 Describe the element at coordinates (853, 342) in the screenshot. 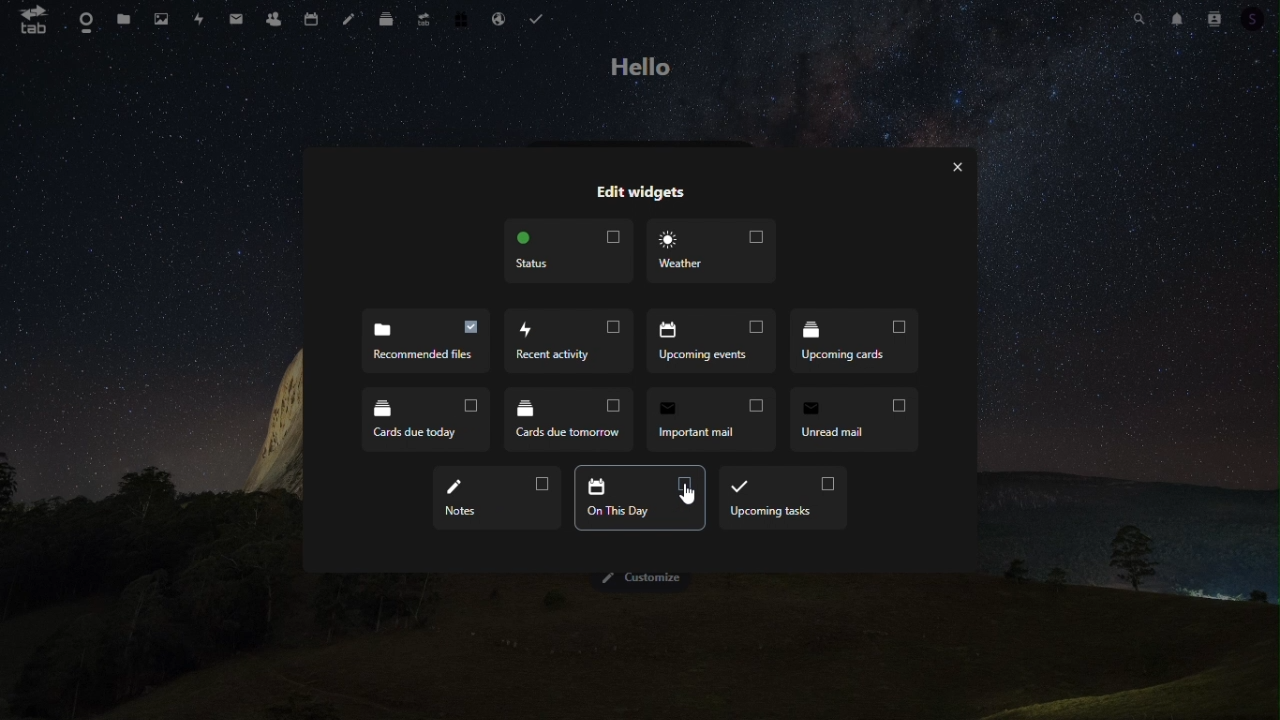

I see `cards due today` at that location.